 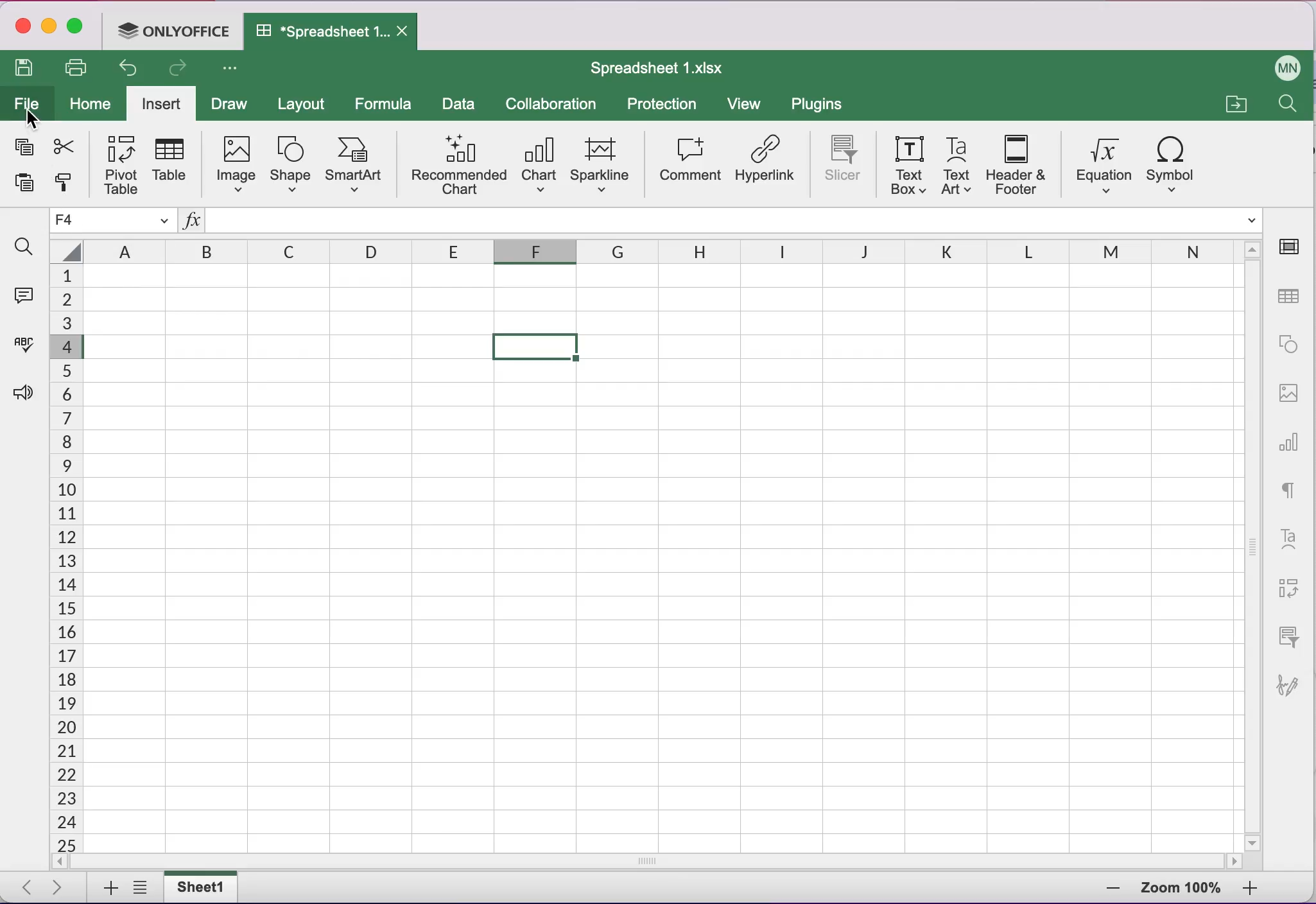 What do you see at coordinates (305, 105) in the screenshot?
I see `layout` at bounding box center [305, 105].